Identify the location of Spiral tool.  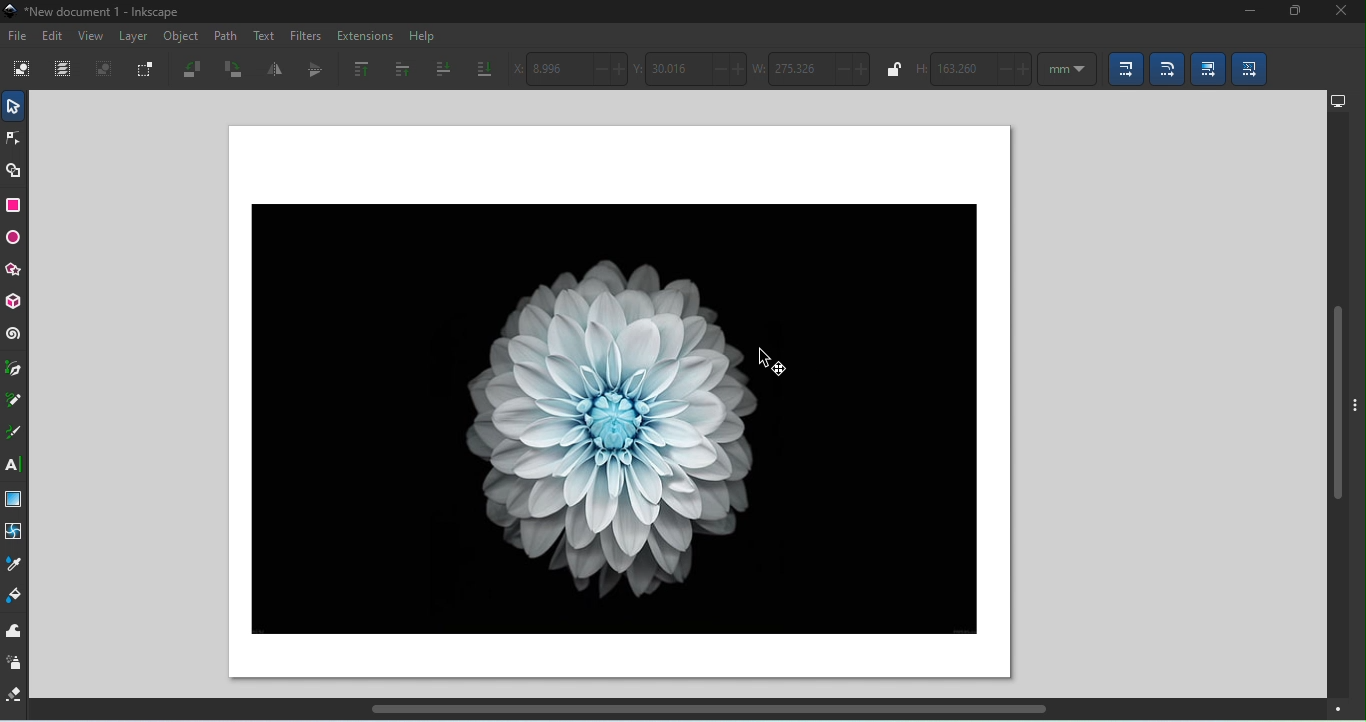
(13, 336).